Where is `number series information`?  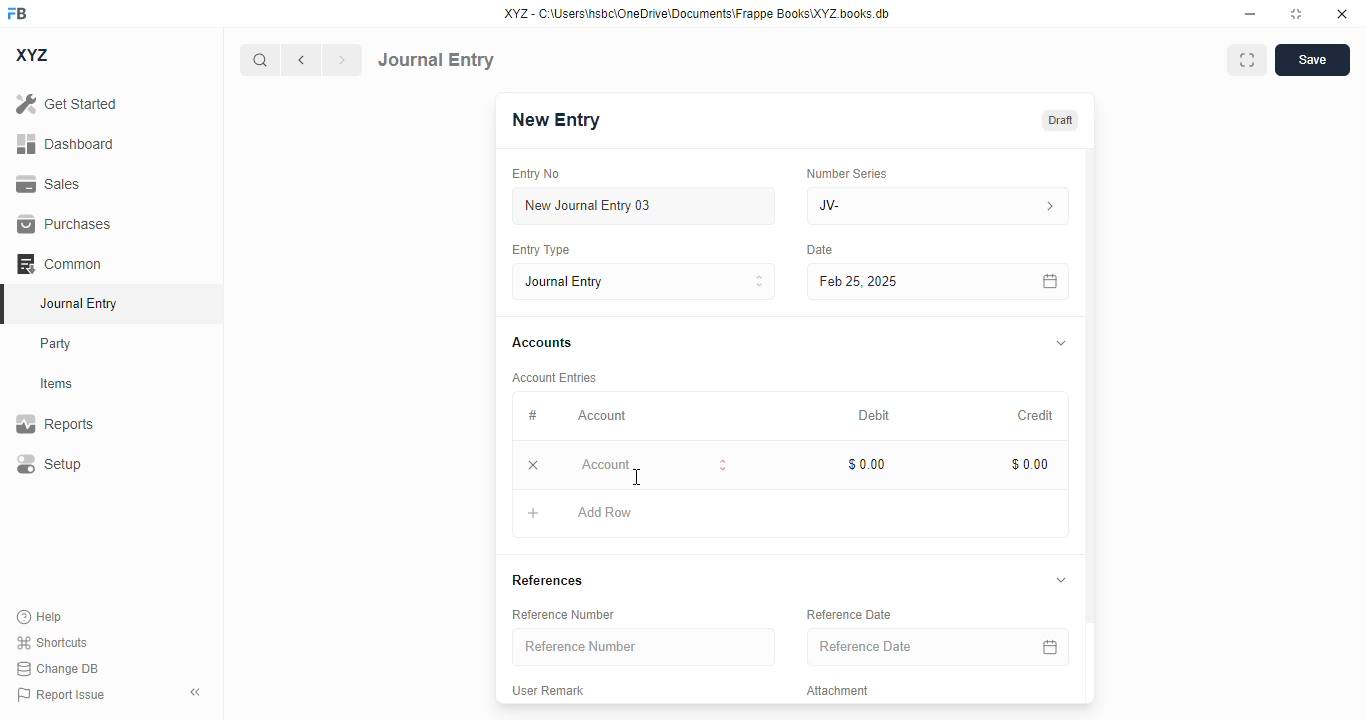
number series information is located at coordinates (1048, 207).